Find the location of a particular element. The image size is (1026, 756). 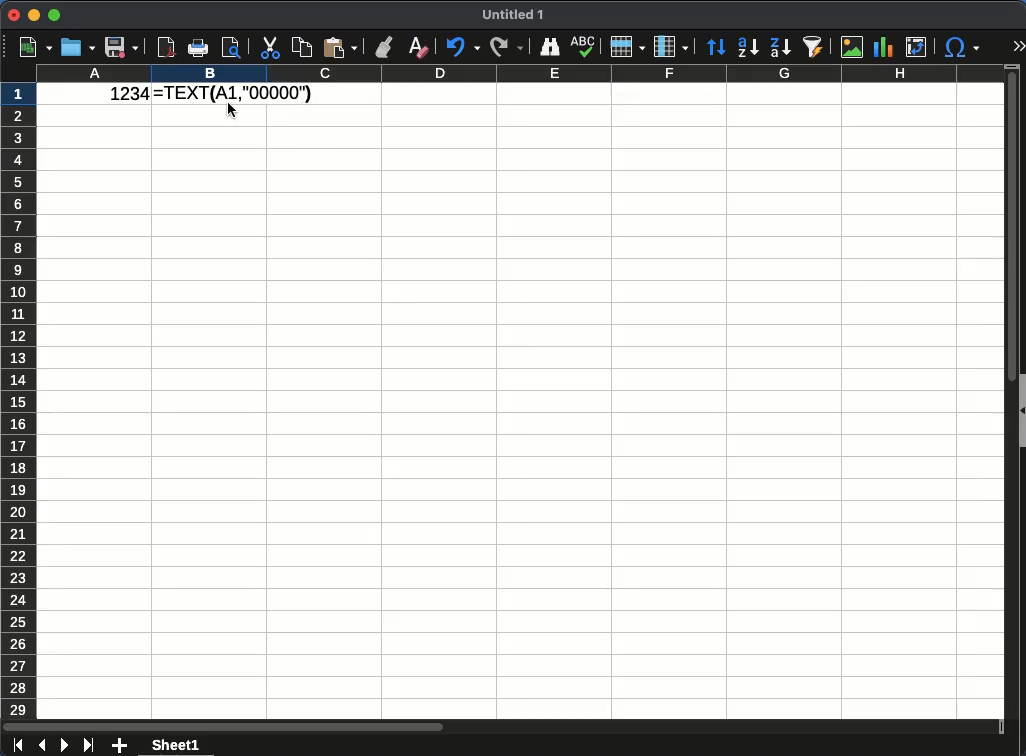

redo is located at coordinates (506, 45).